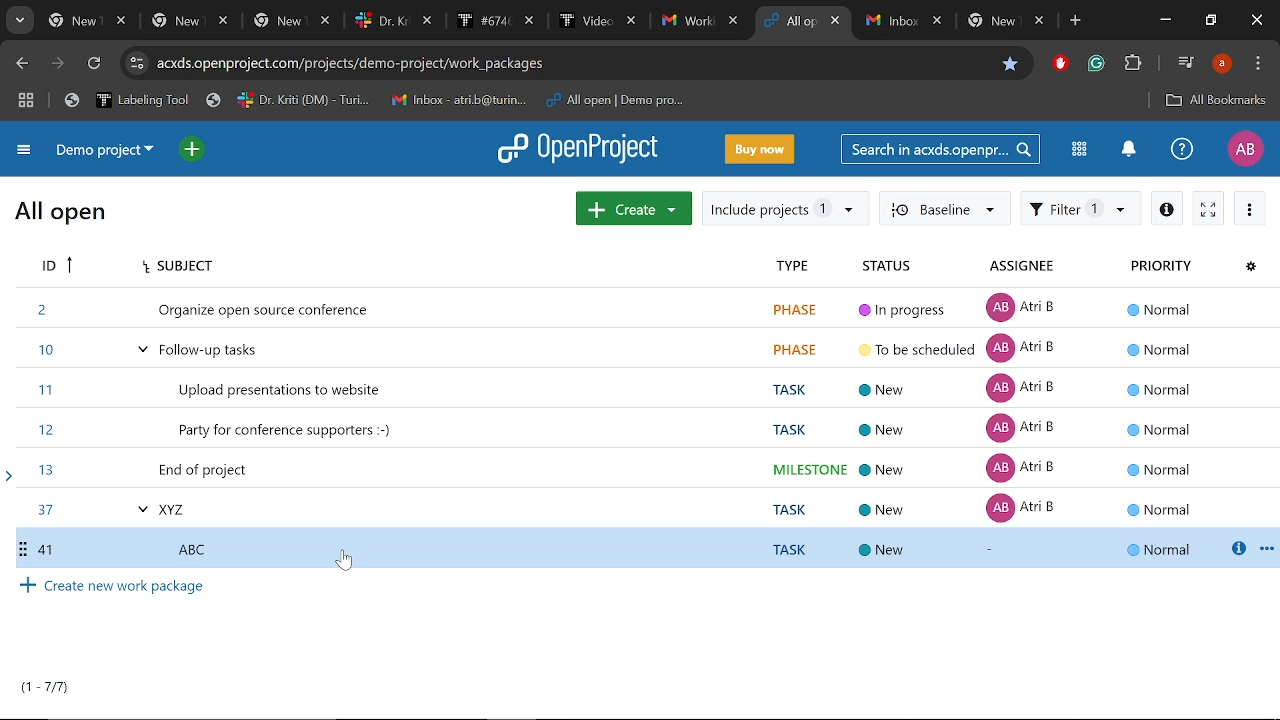 The width and height of the screenshot is (1280, 720). What do you see at coordinates (1209, 209) in the screenshot?
I see `Activate zen mode` at bounding box center [1209, 209].